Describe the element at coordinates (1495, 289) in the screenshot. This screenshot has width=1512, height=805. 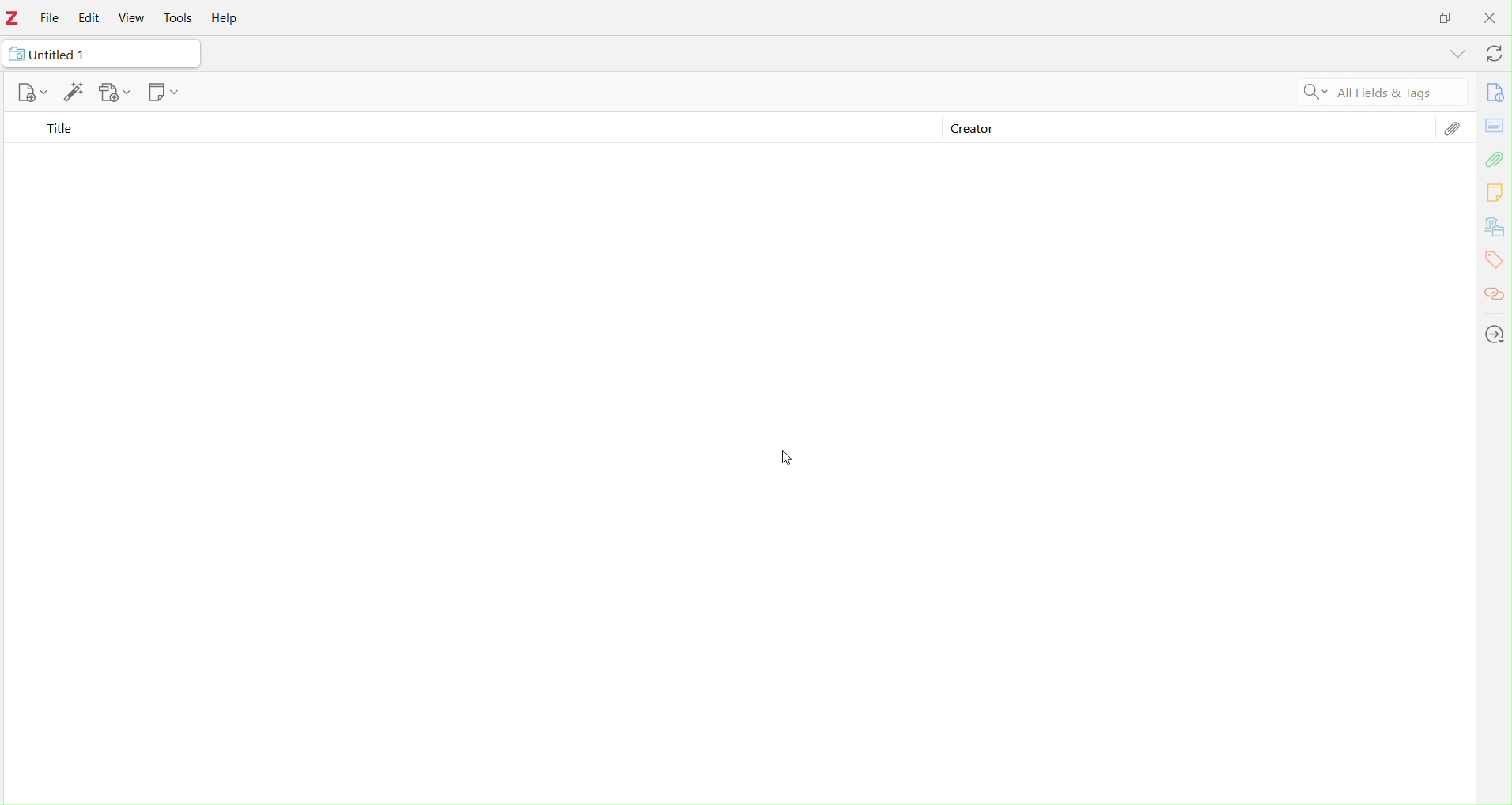
I see `Links` at that location.